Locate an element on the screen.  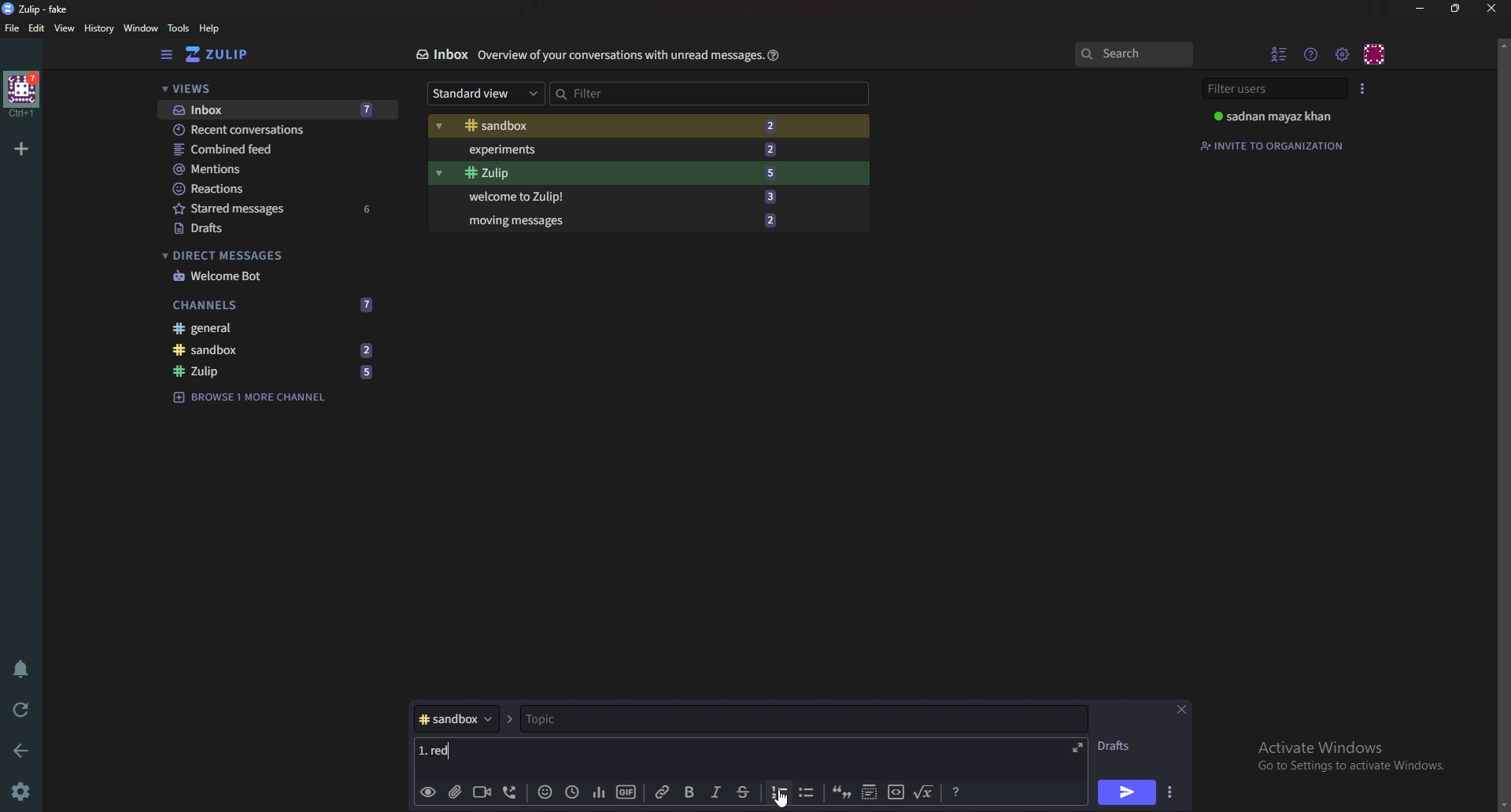
Expand is located at coordinates (1076, 746).